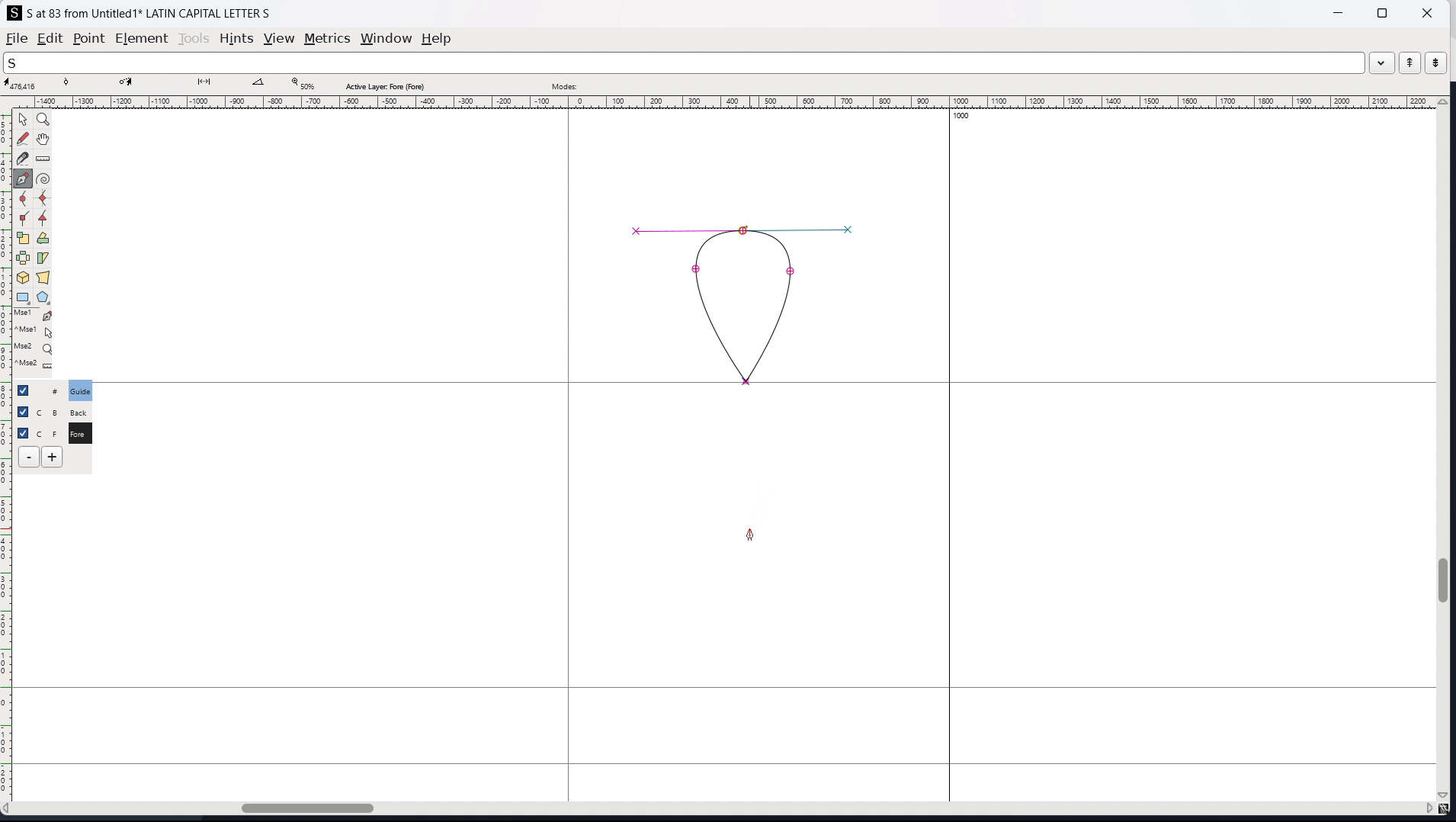  What do you see at coordinates (14, 13) in the screenshot?
I see `logo` at bounding box center [14, 13].